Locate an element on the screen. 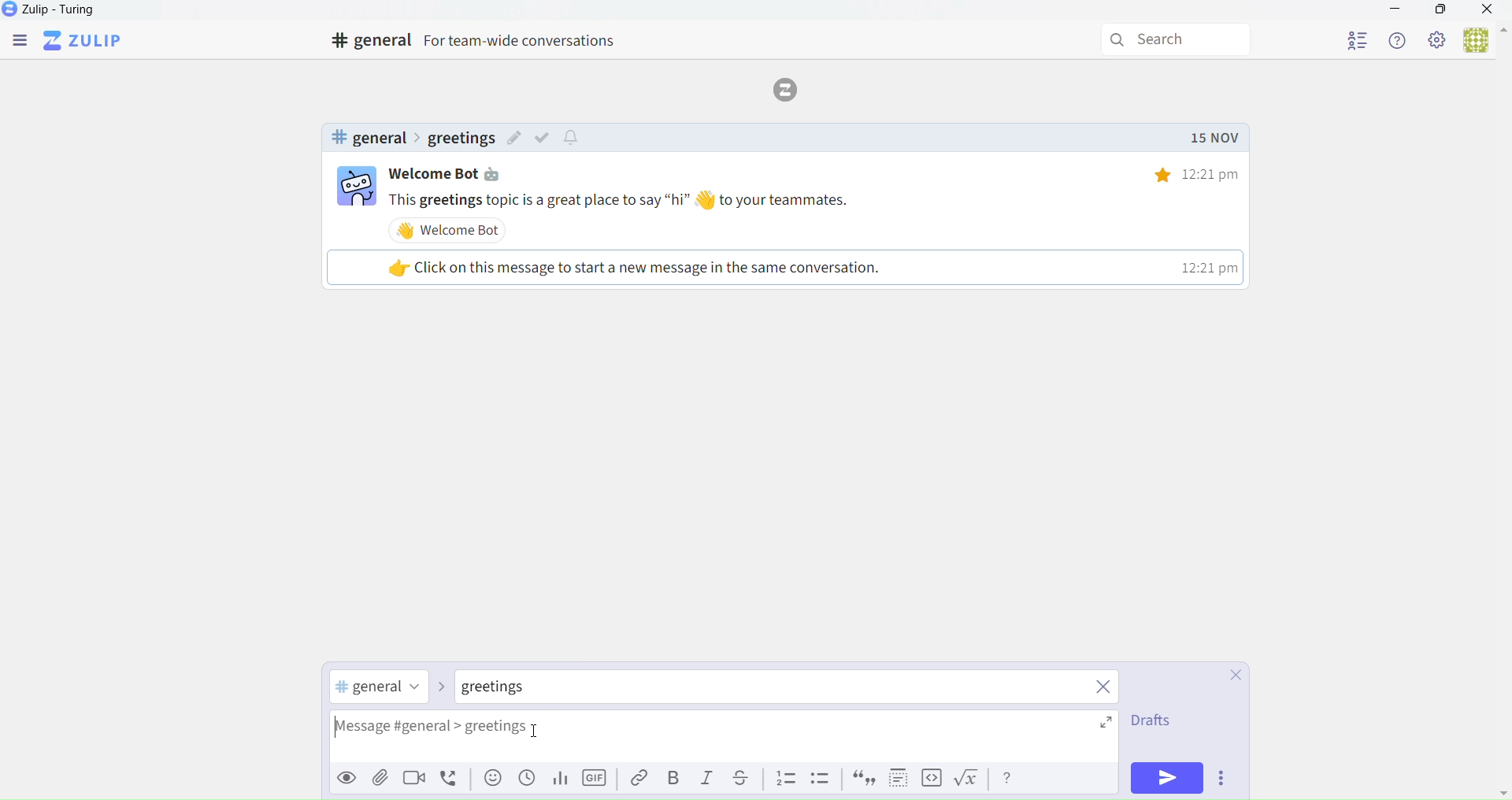 This screenshot has height=800, width=1512. Spoiler is located at coordinates (894, 778).